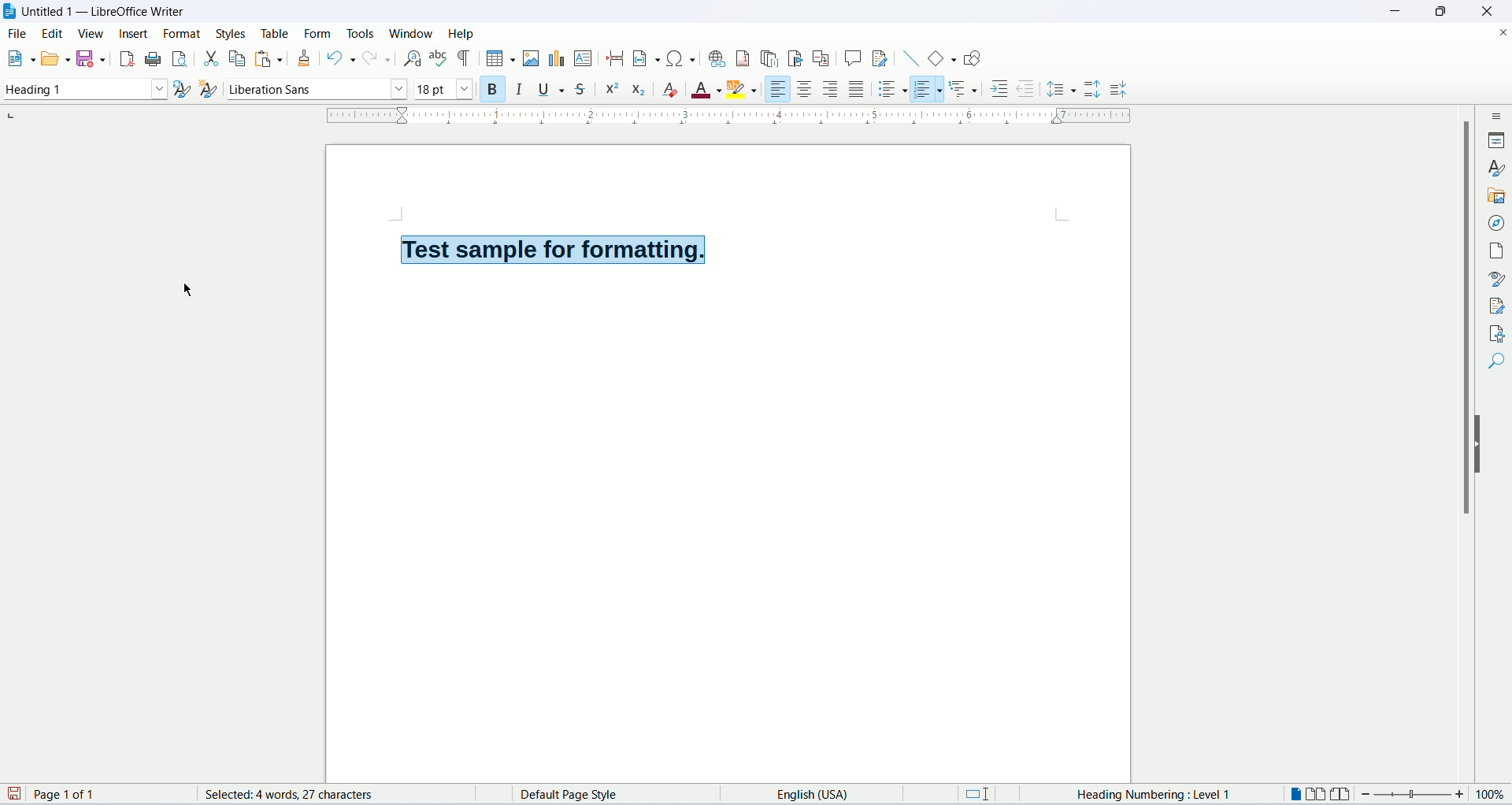 The height and width of the screenshot is (805, 1512). What do you see at coordinates (1062, 88) in the screenshot?
I see `line spacing` at bounding box center [1062, 88].